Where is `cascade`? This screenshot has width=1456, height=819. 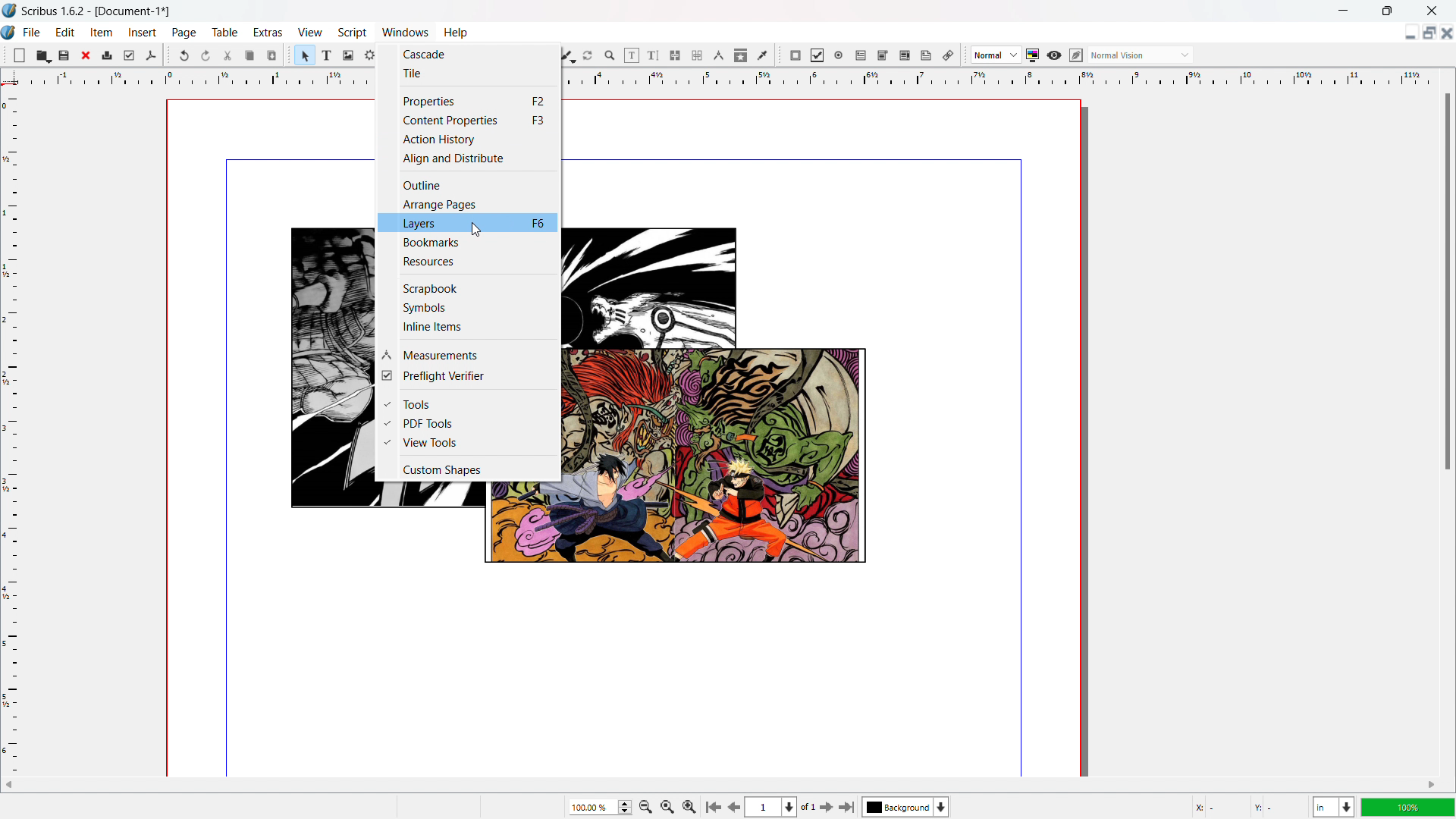
cascade is located at coordinates (468, 52).